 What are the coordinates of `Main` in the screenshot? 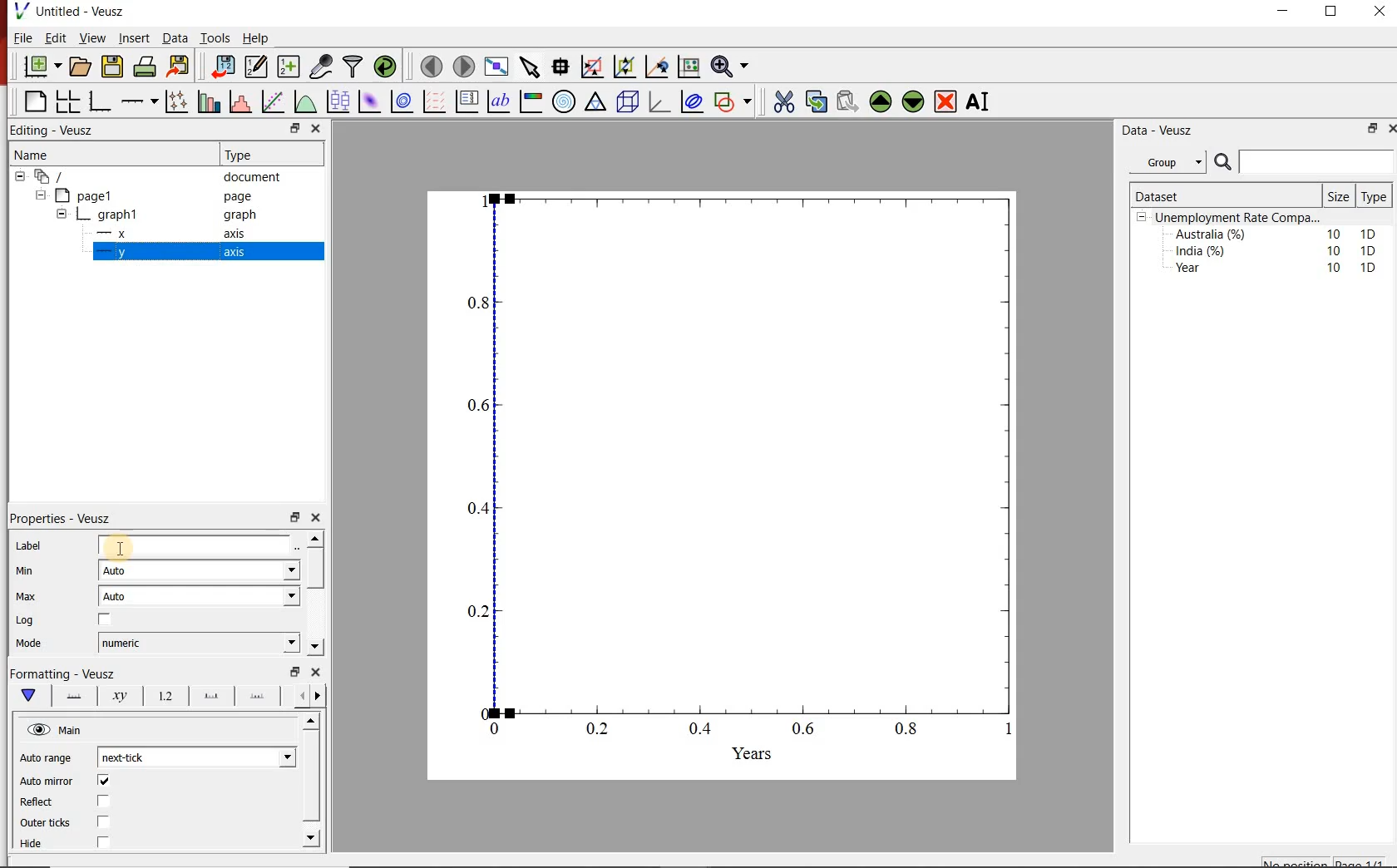 It's located at (72, 731).